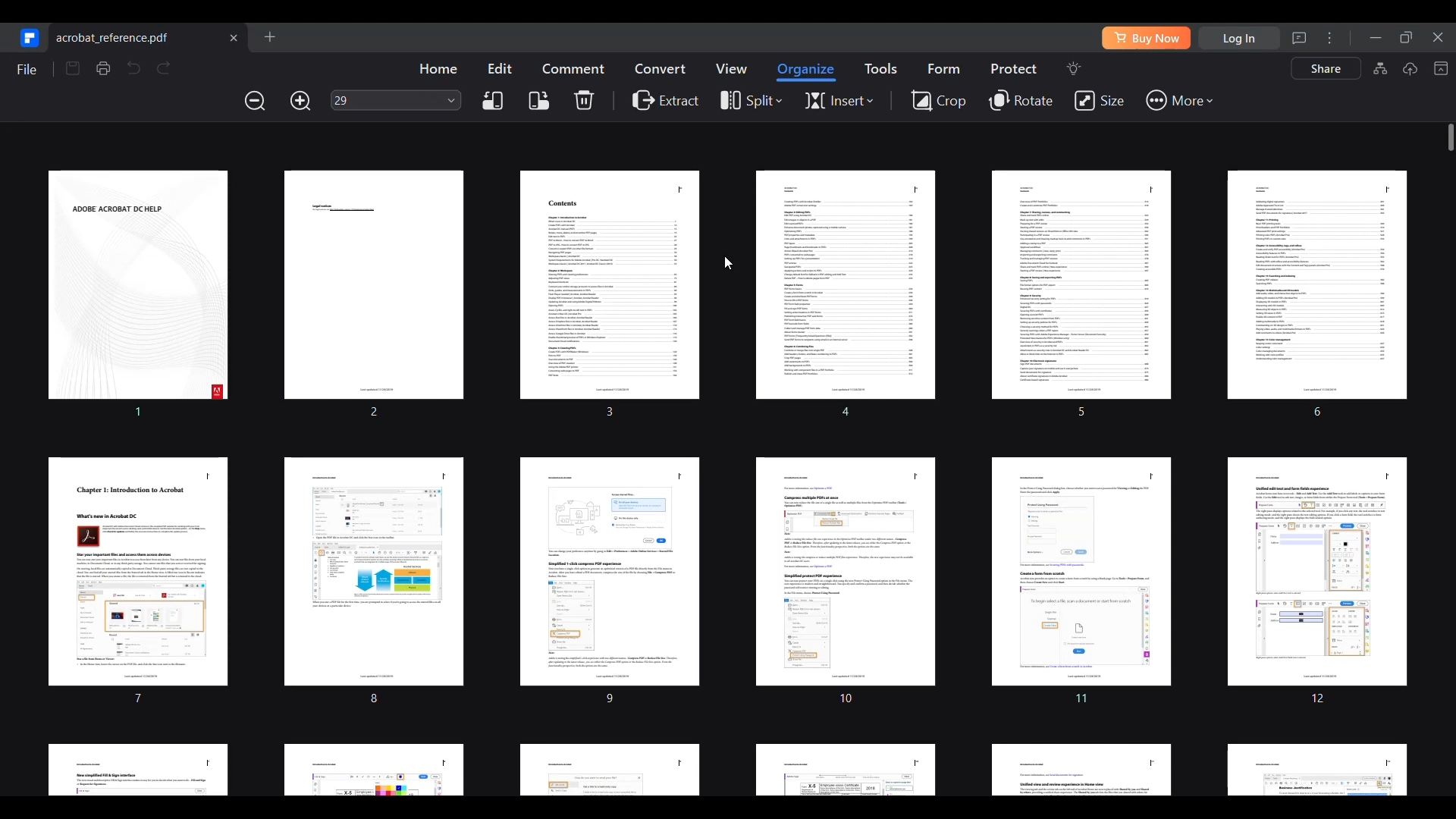 The width and height of the screenshot is (1456, 819). Describe the element at coordinates (149, 36) in the screenshot. I see `Current open file` at that location.